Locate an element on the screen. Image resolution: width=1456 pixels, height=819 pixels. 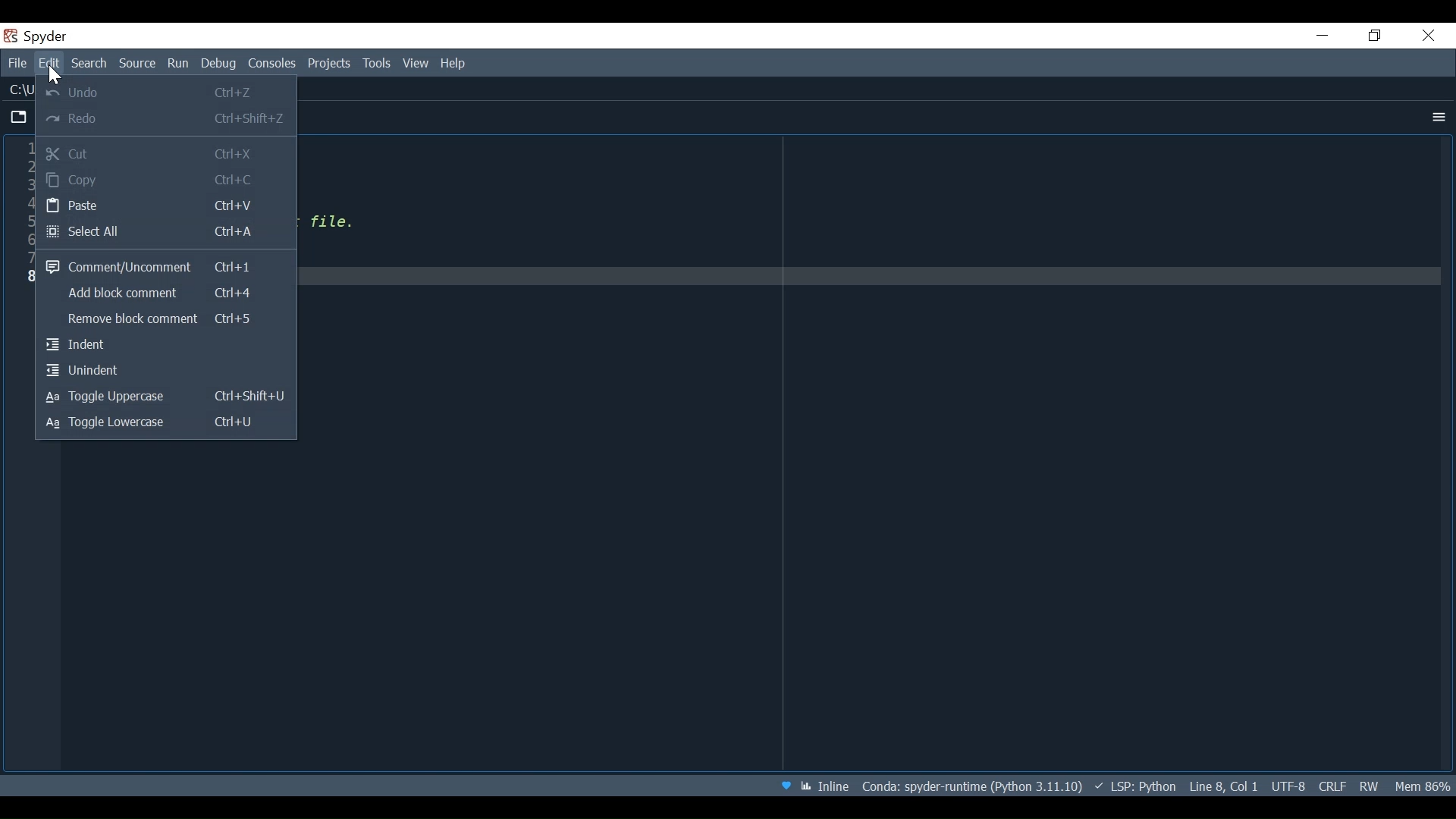
Cursor Position is located at coordinates (1222, 784).